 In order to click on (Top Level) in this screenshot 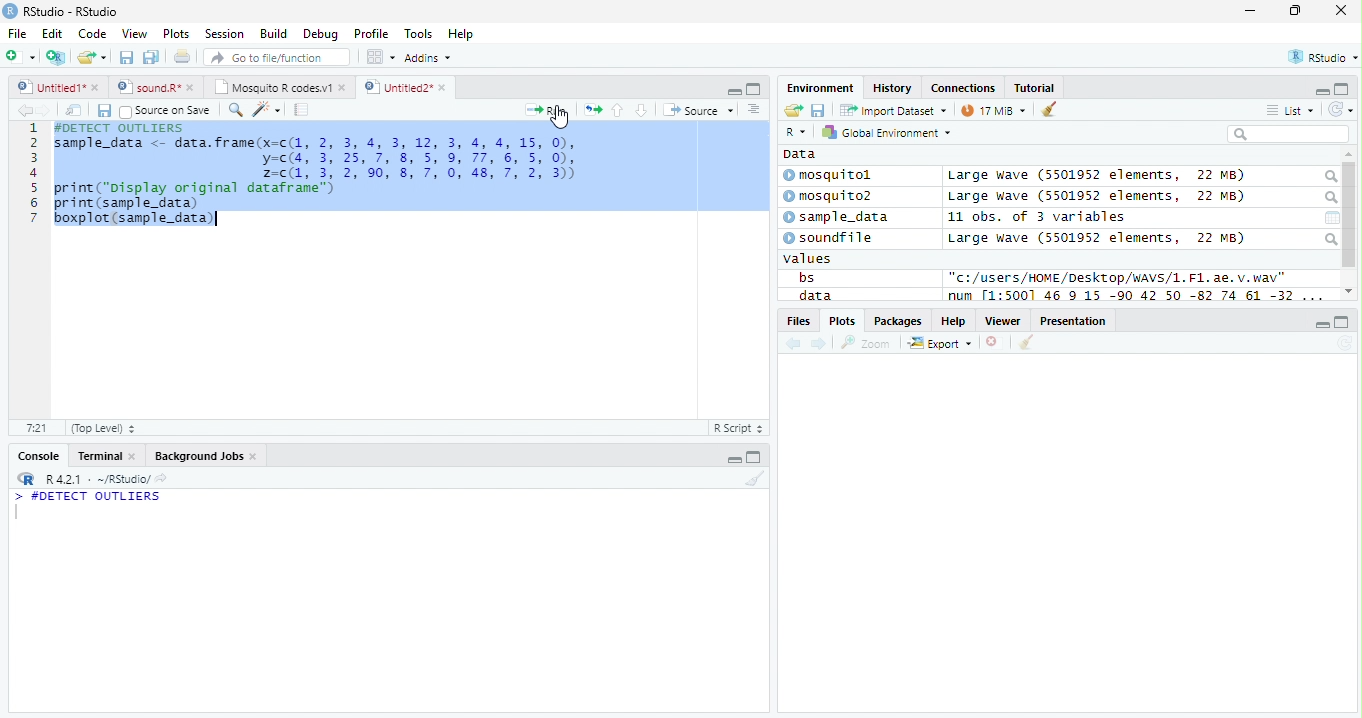, I will do `click(103, 429)`.